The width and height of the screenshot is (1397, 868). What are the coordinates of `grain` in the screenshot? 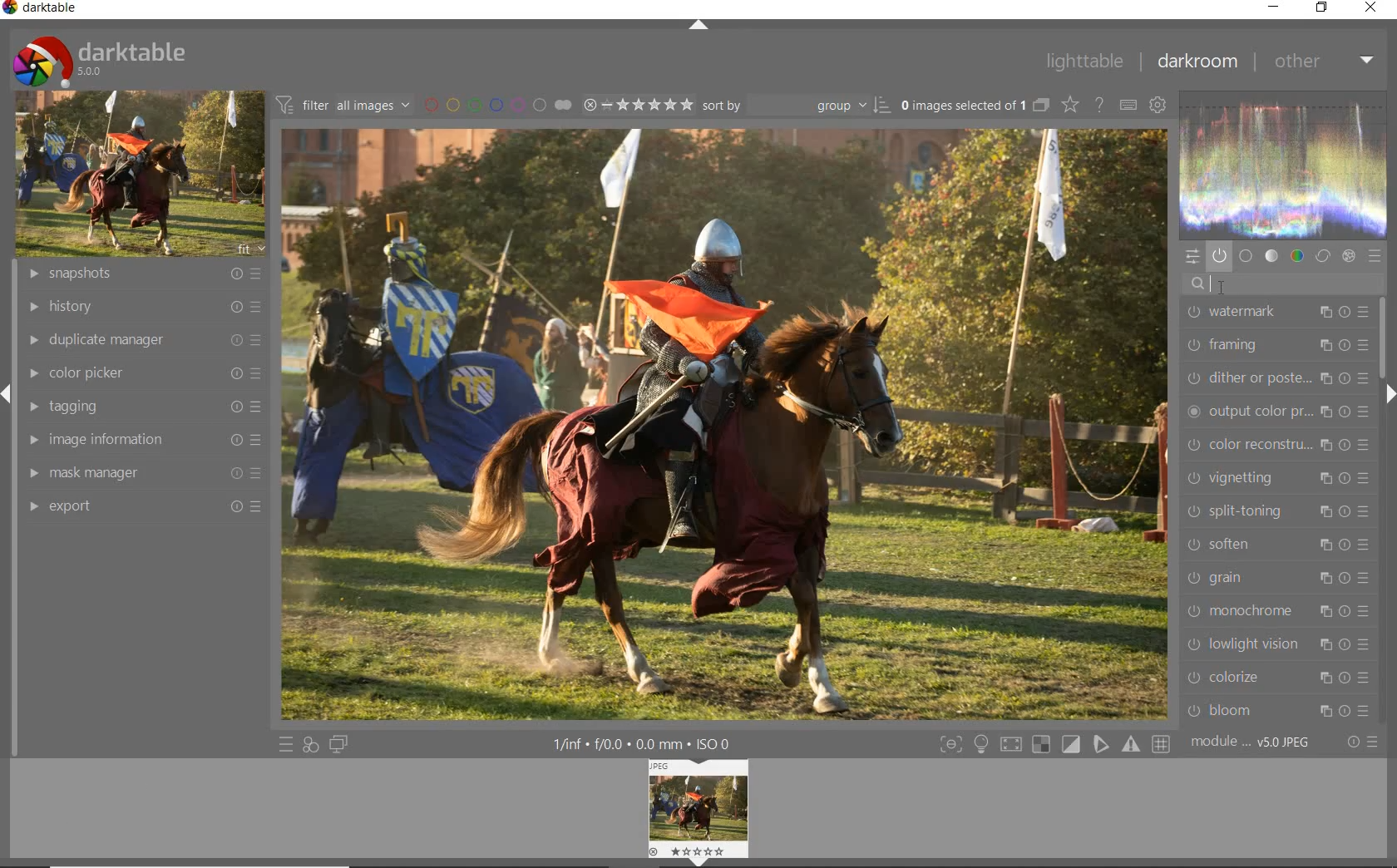 It's located at (1276, 579).